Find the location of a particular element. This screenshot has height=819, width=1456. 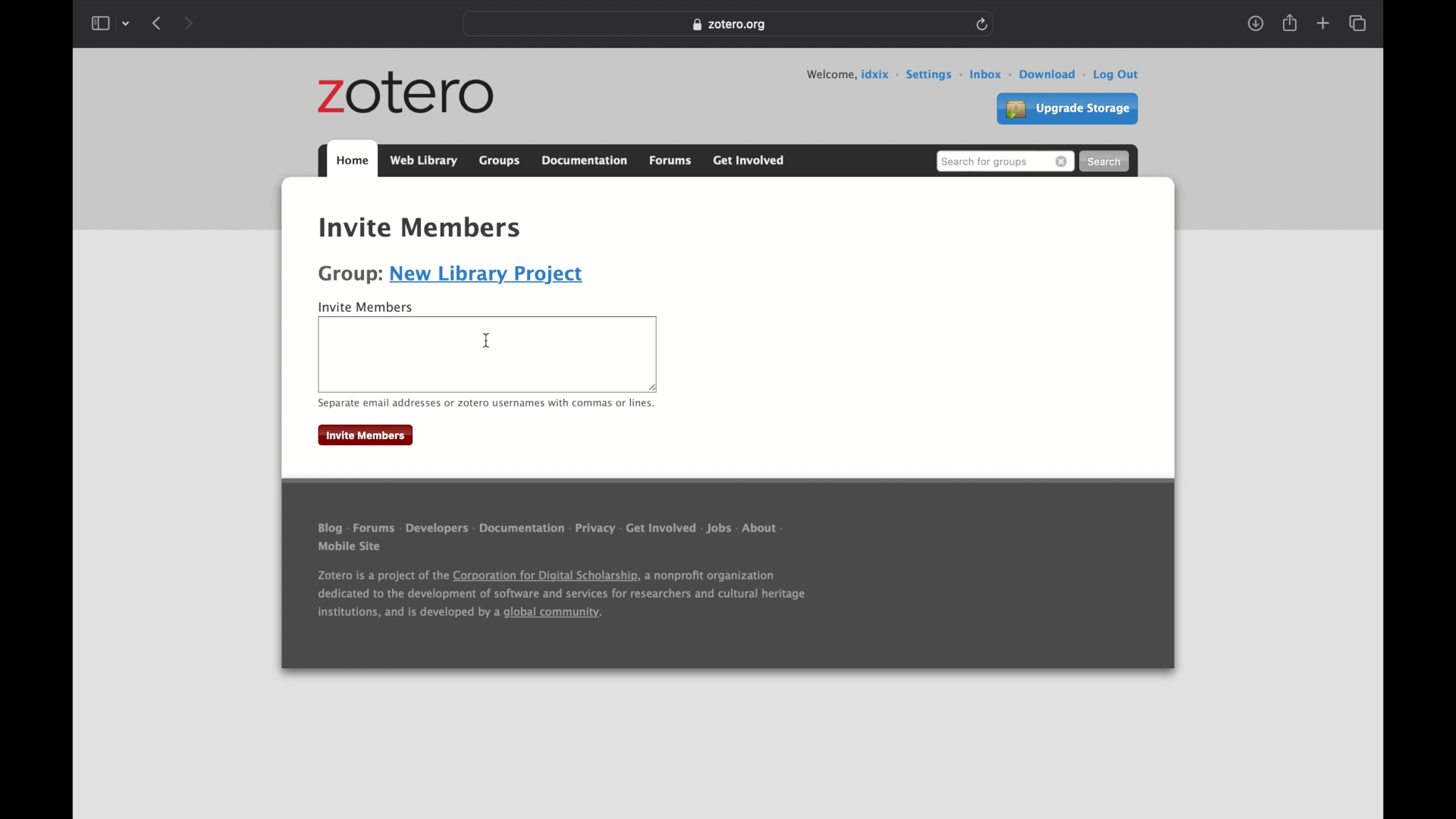

 is located at coordinates (487, 354).